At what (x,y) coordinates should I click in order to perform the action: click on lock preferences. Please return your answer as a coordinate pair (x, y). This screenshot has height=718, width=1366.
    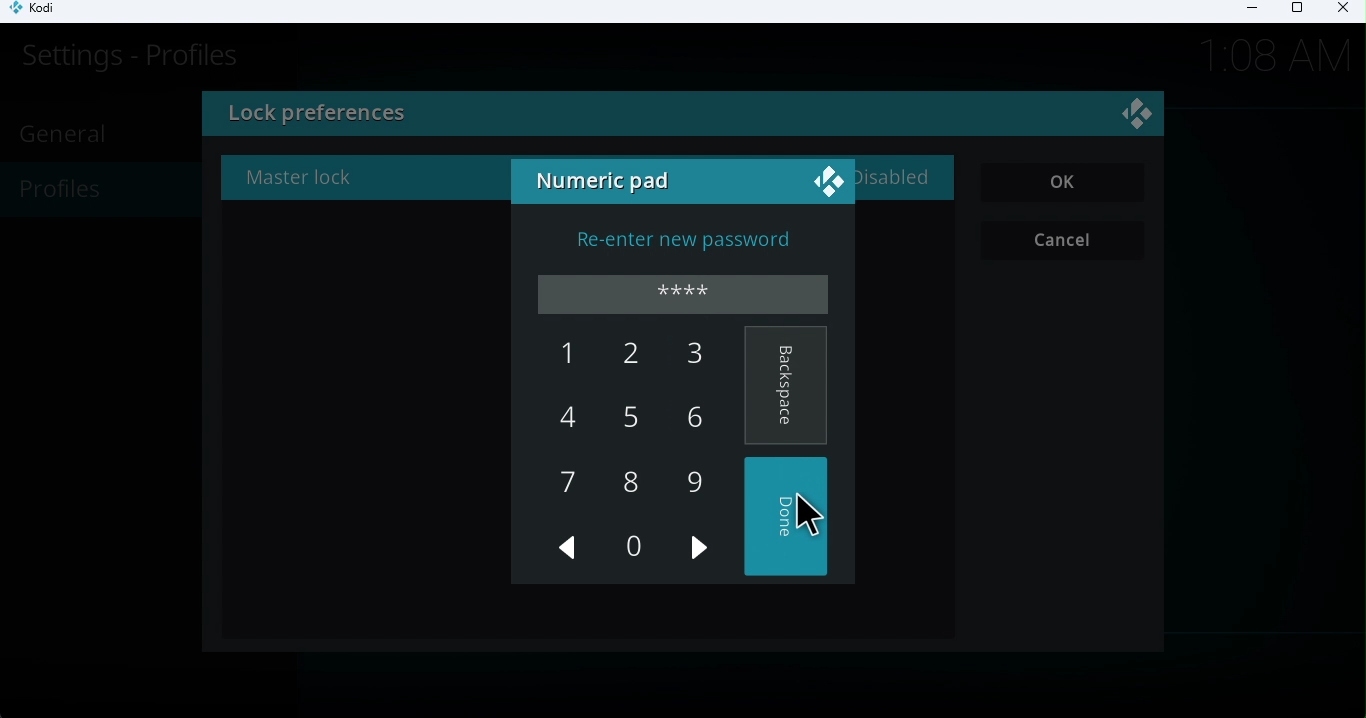
    Looking at the image, I should click on (470, 116).